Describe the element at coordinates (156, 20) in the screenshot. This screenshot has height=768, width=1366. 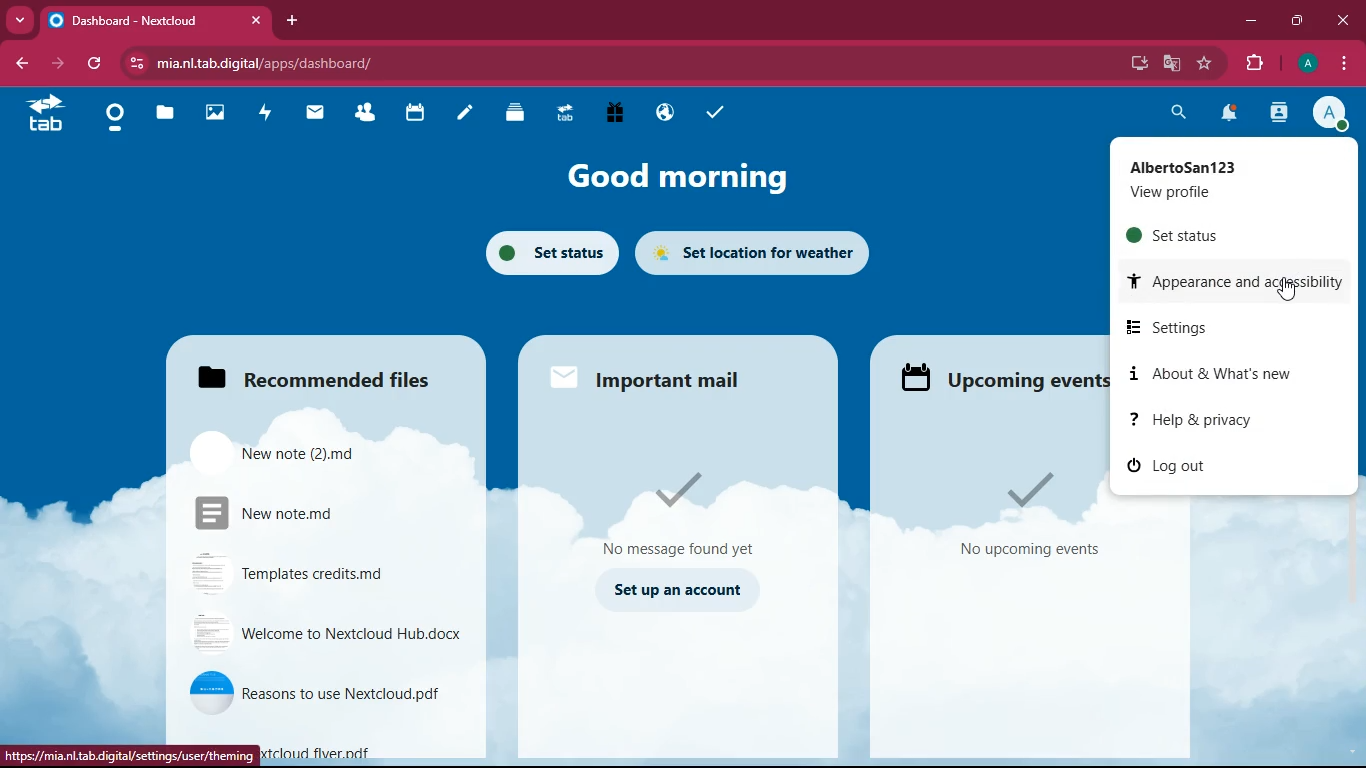
I see `tab` at that location.